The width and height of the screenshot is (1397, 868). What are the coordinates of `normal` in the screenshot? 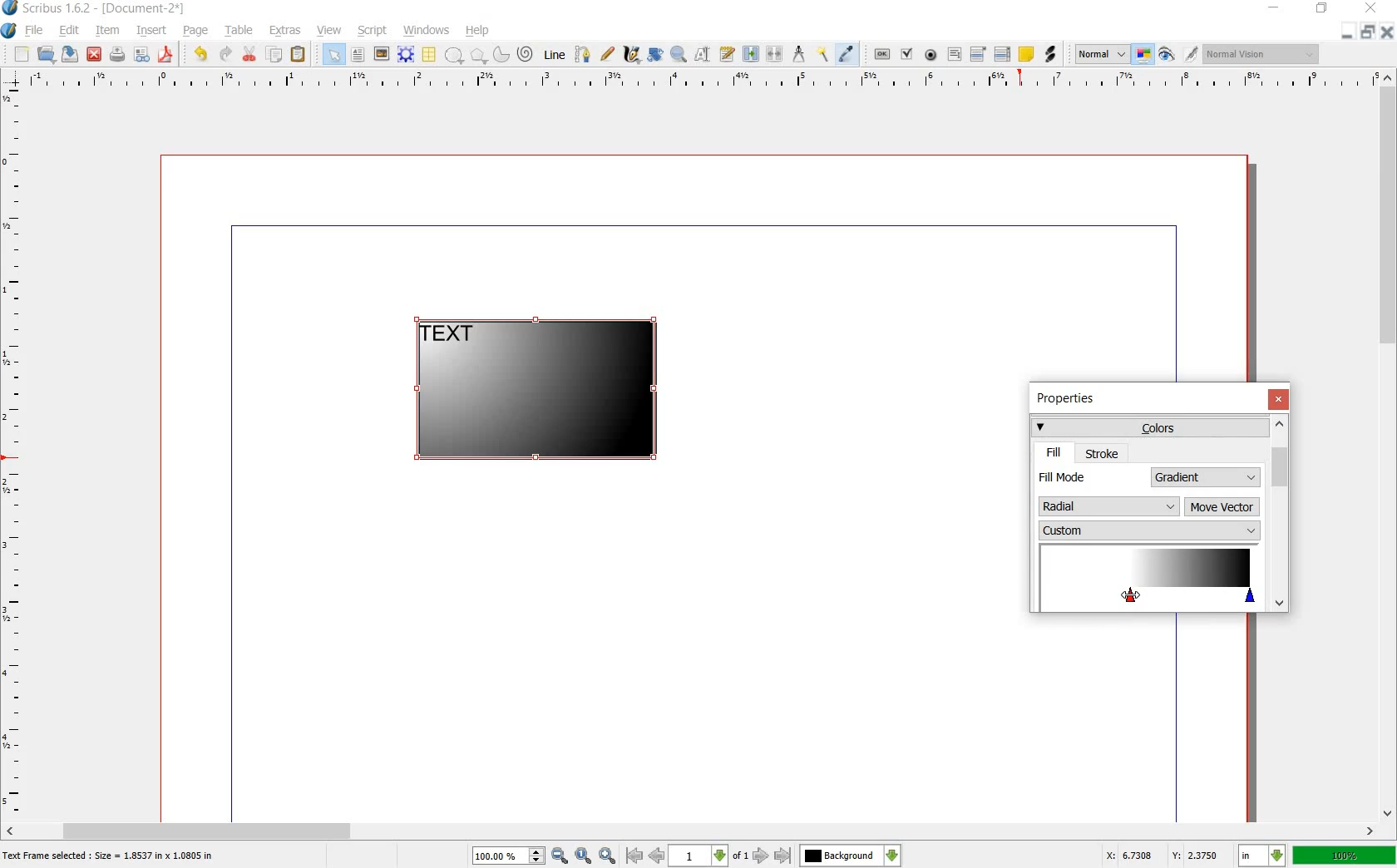 It's located at (1102, 55).